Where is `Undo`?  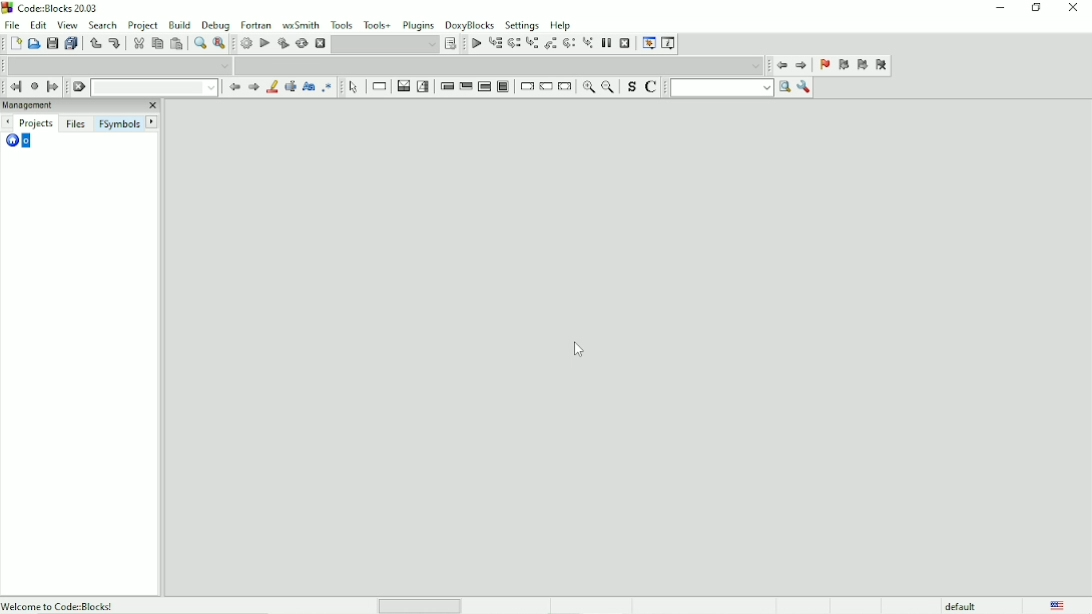
Undo is located at coordinates (93, 43).